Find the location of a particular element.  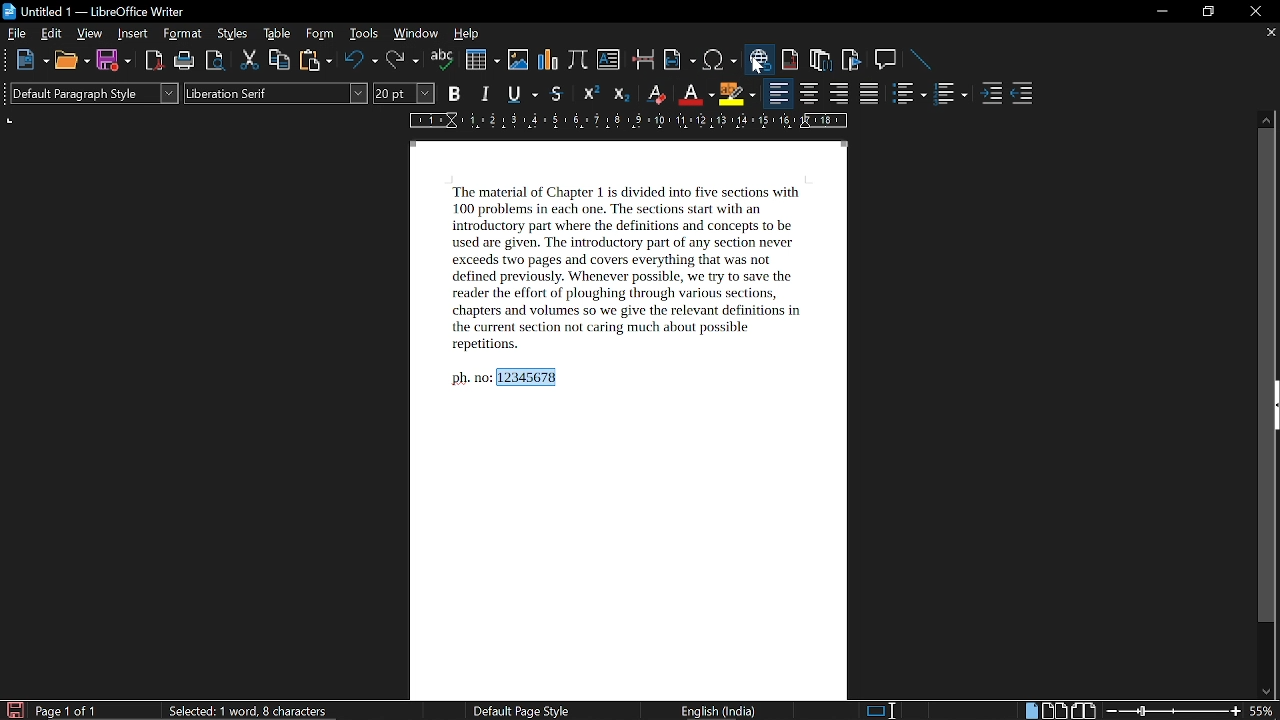

undo is located at coordinates (359, 62).